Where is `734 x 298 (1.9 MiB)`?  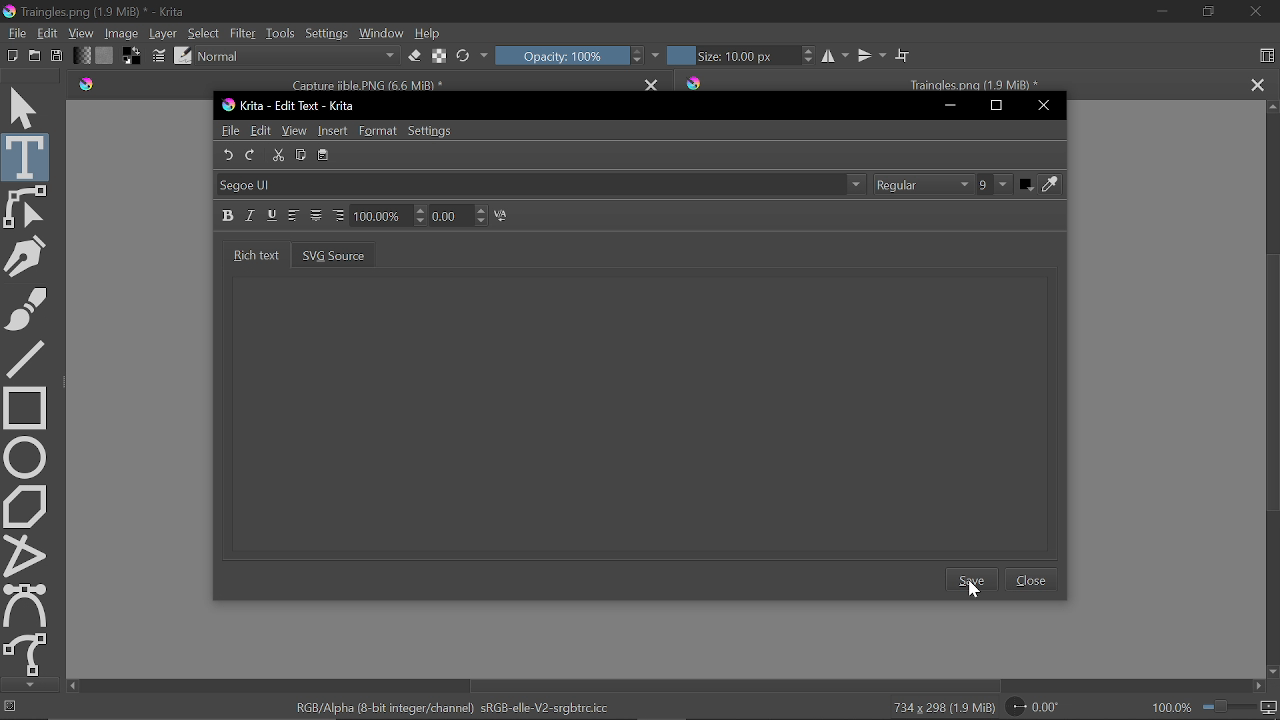
734 x 298 (1.9 MiB) is located at coordinates (940, 708).